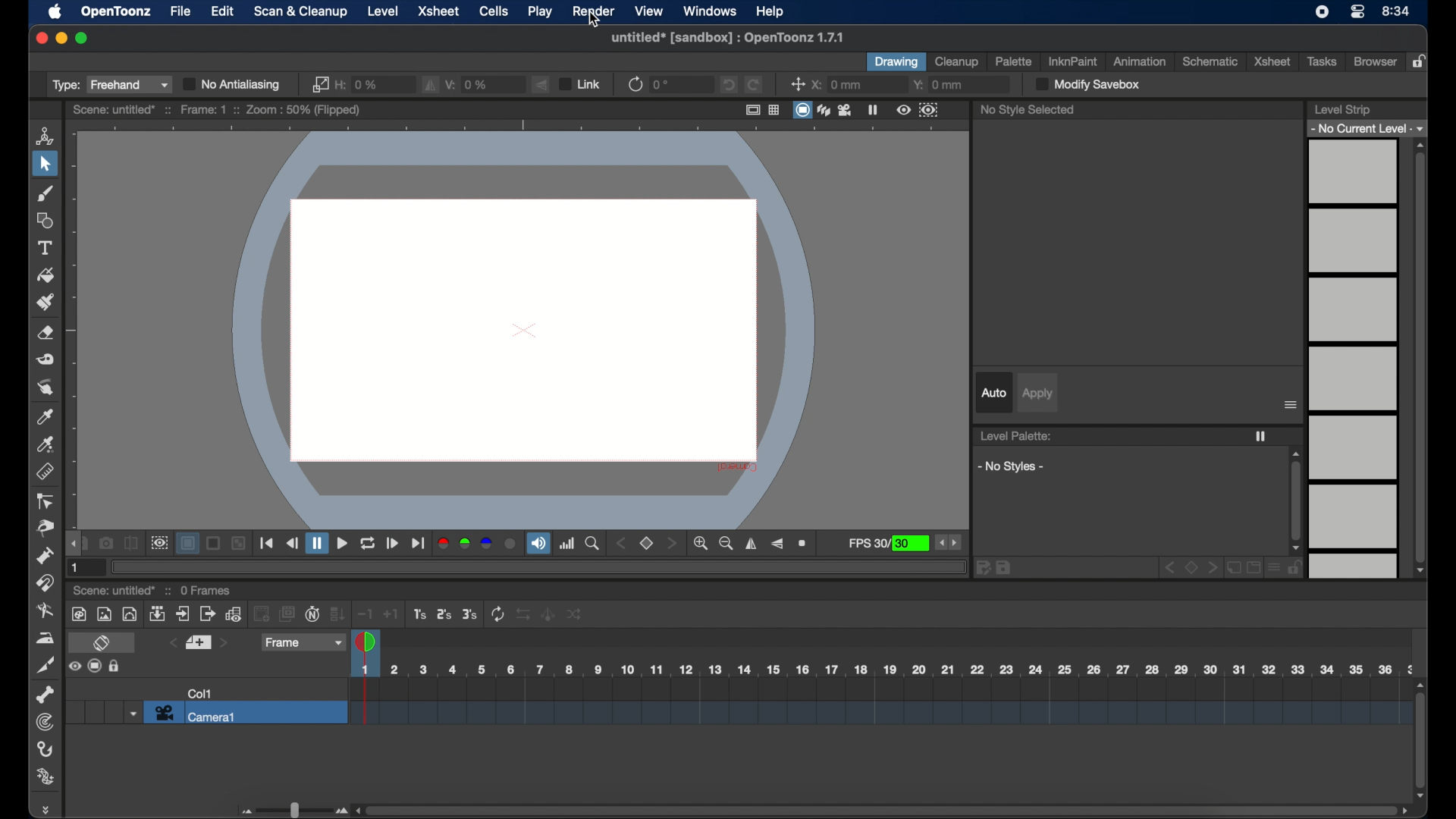 Image resolution: width=1456 pixels, height=819 pixels. What do you see at coordinates (836, 84) in the screenshot?
I see `x` at bounding box center [836, 84].